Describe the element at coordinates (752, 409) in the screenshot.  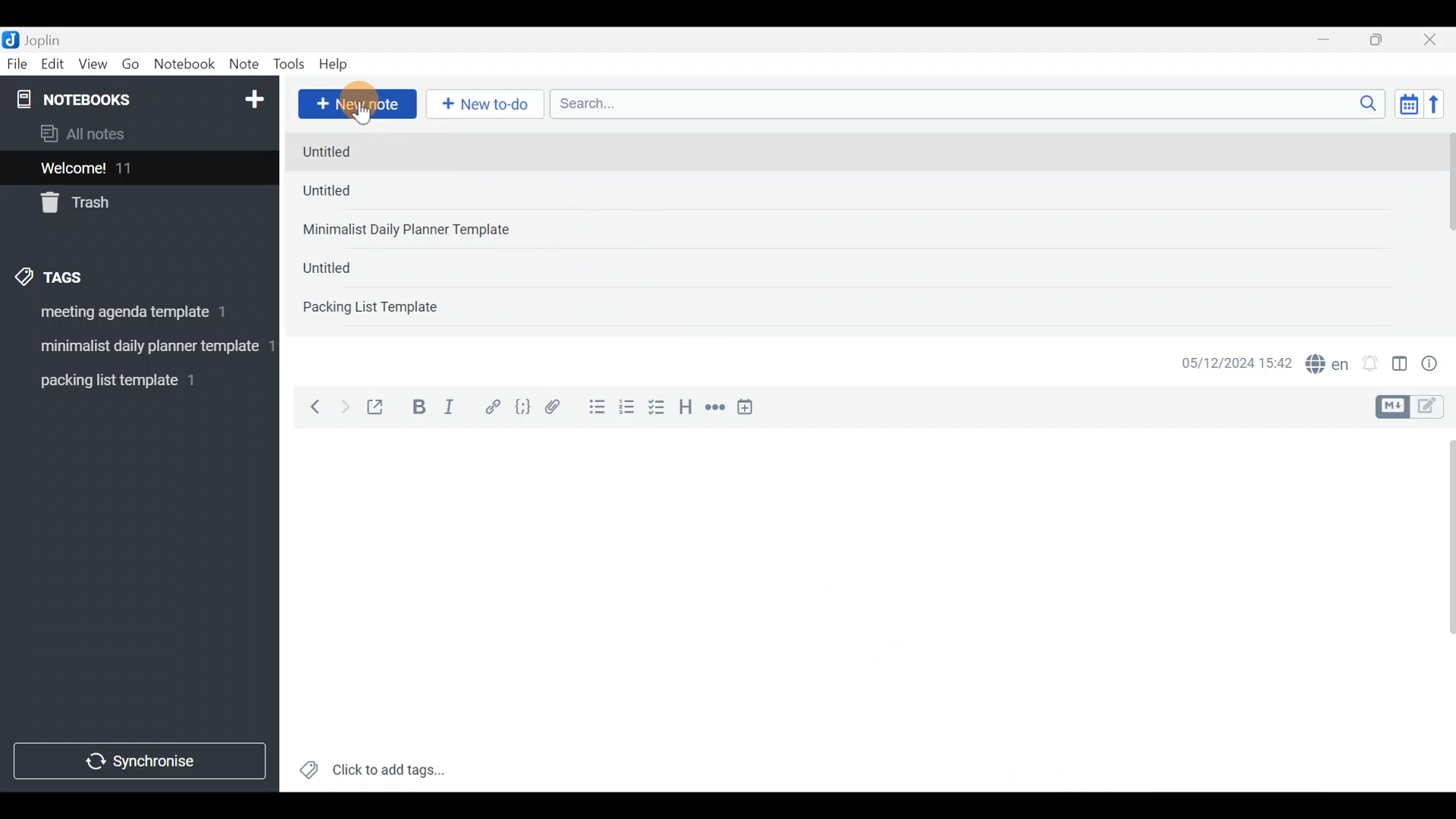
I see `Insert time` at that location.